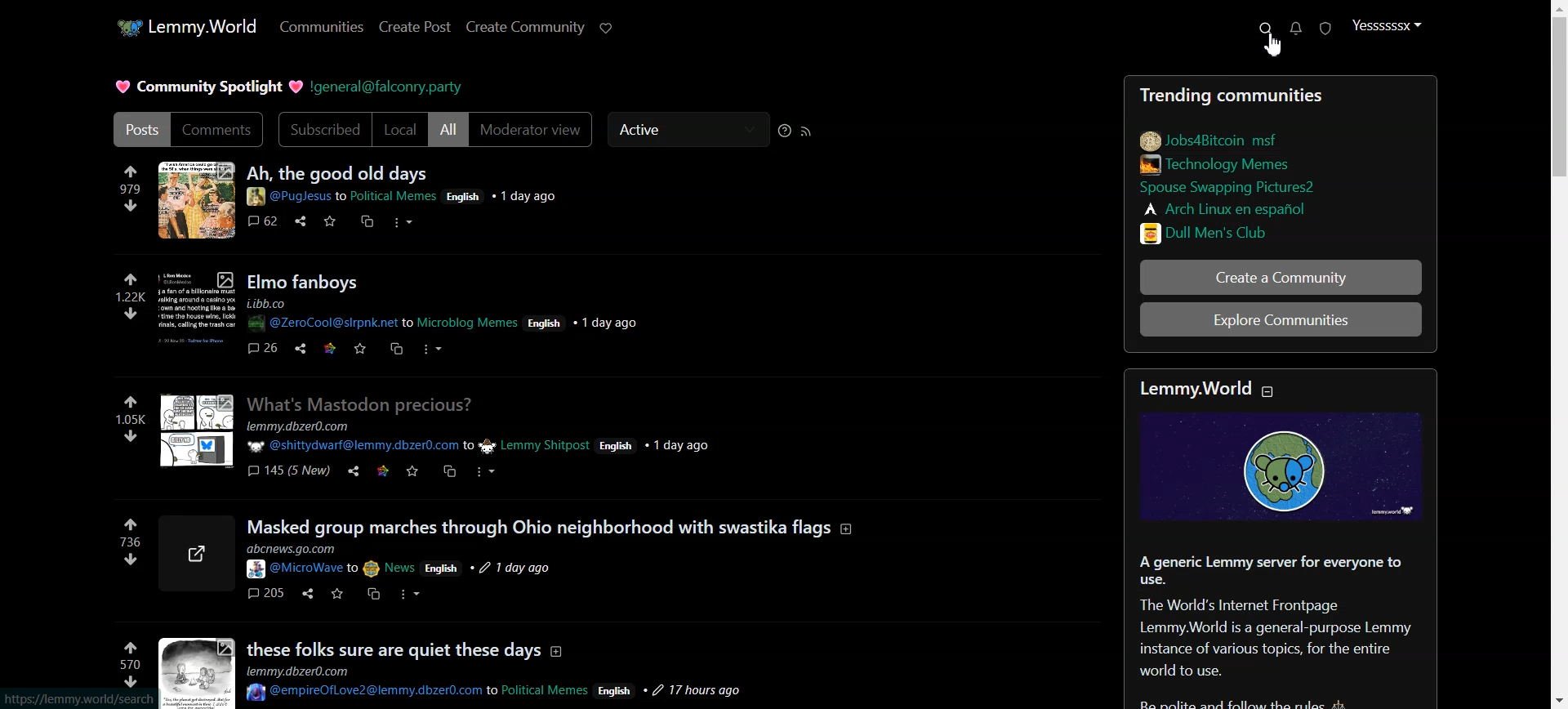 The image size is (1568, 709). What do you see at coordinates (488, 471) in the screenshot?
I see `more` at bounding box center [488, 471].